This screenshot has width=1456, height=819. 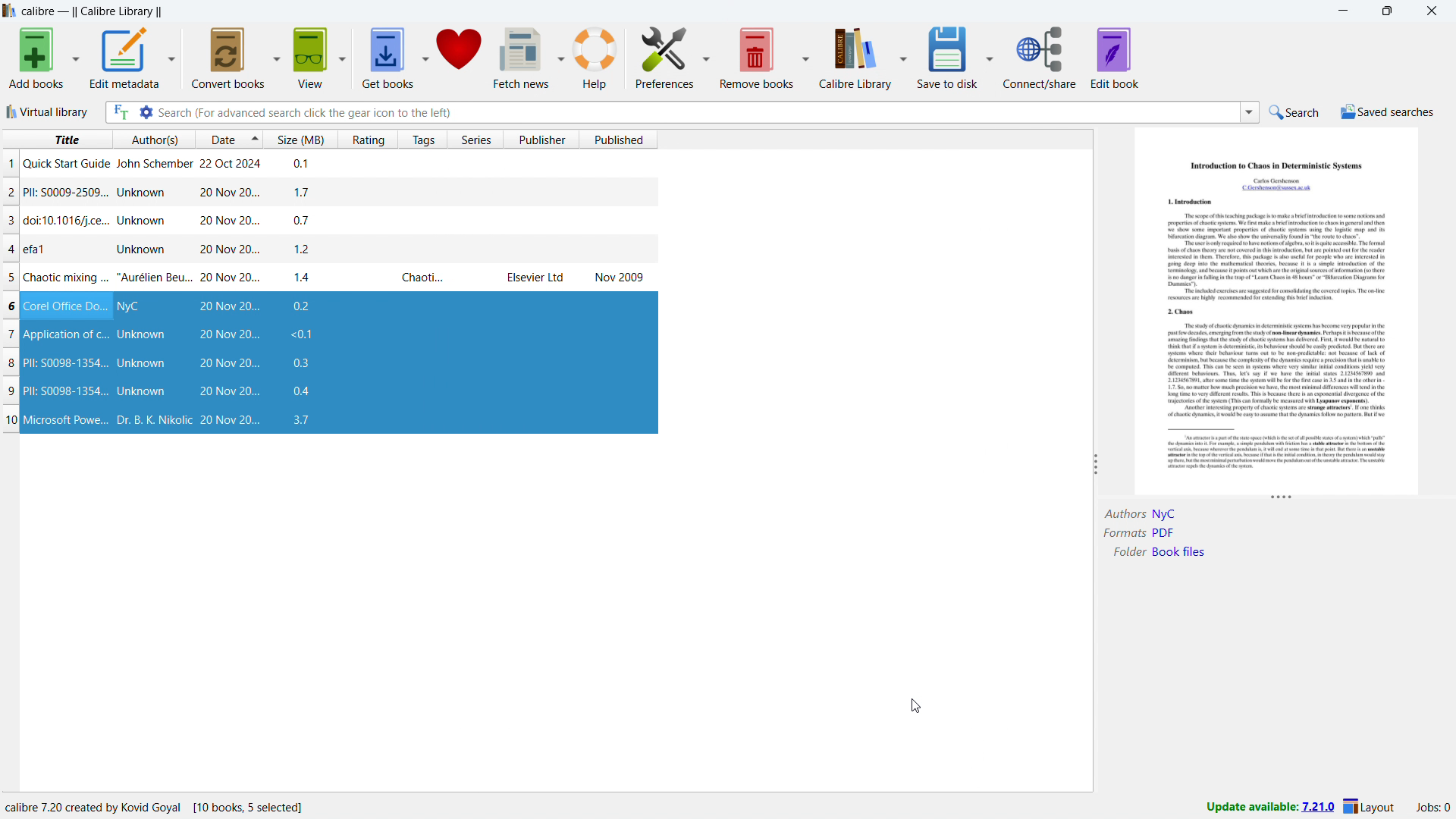 I want to click on sort by tags, so click(x=418, y=139).